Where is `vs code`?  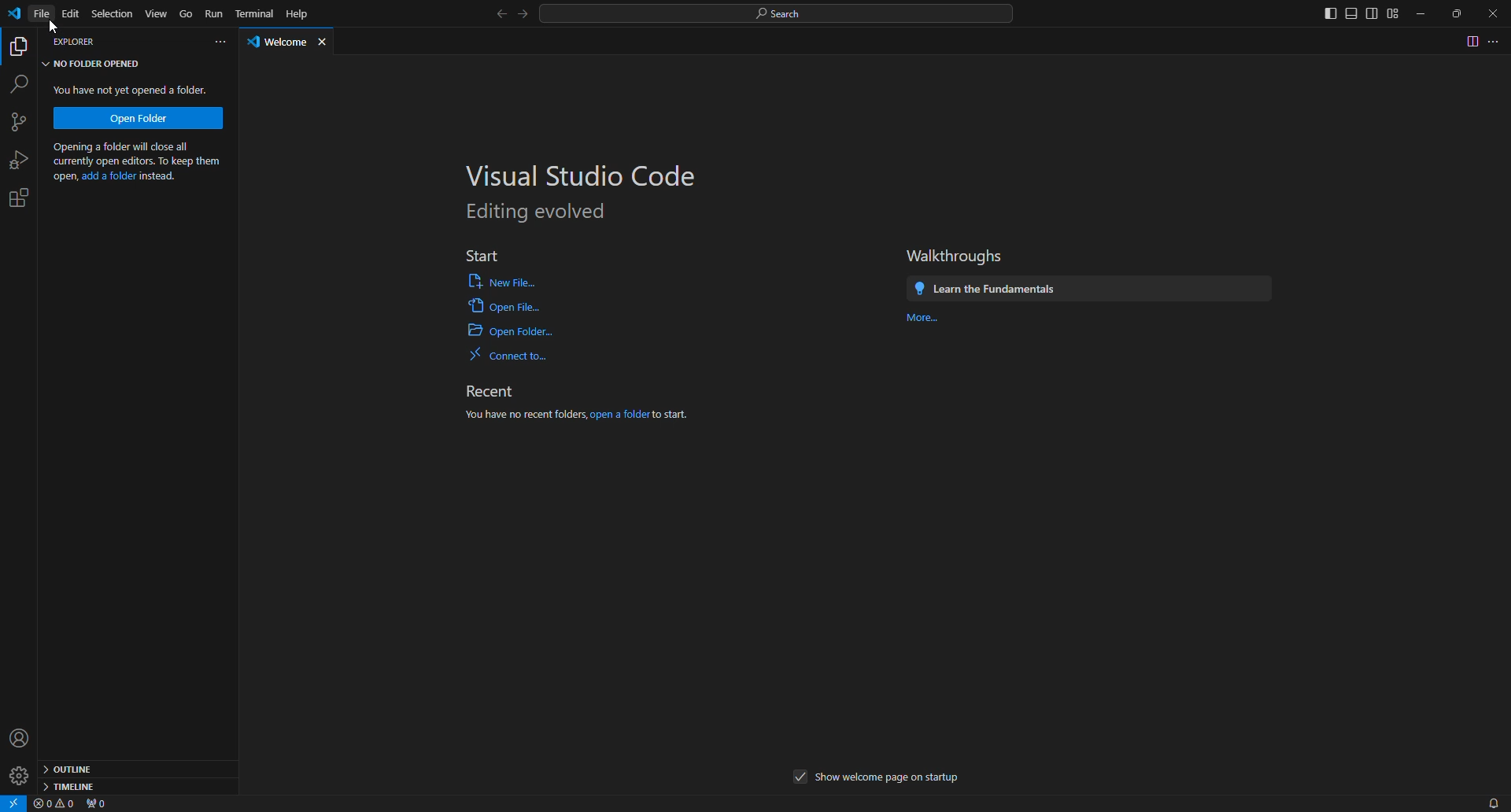
vs code is located at coordinates (17, 16).